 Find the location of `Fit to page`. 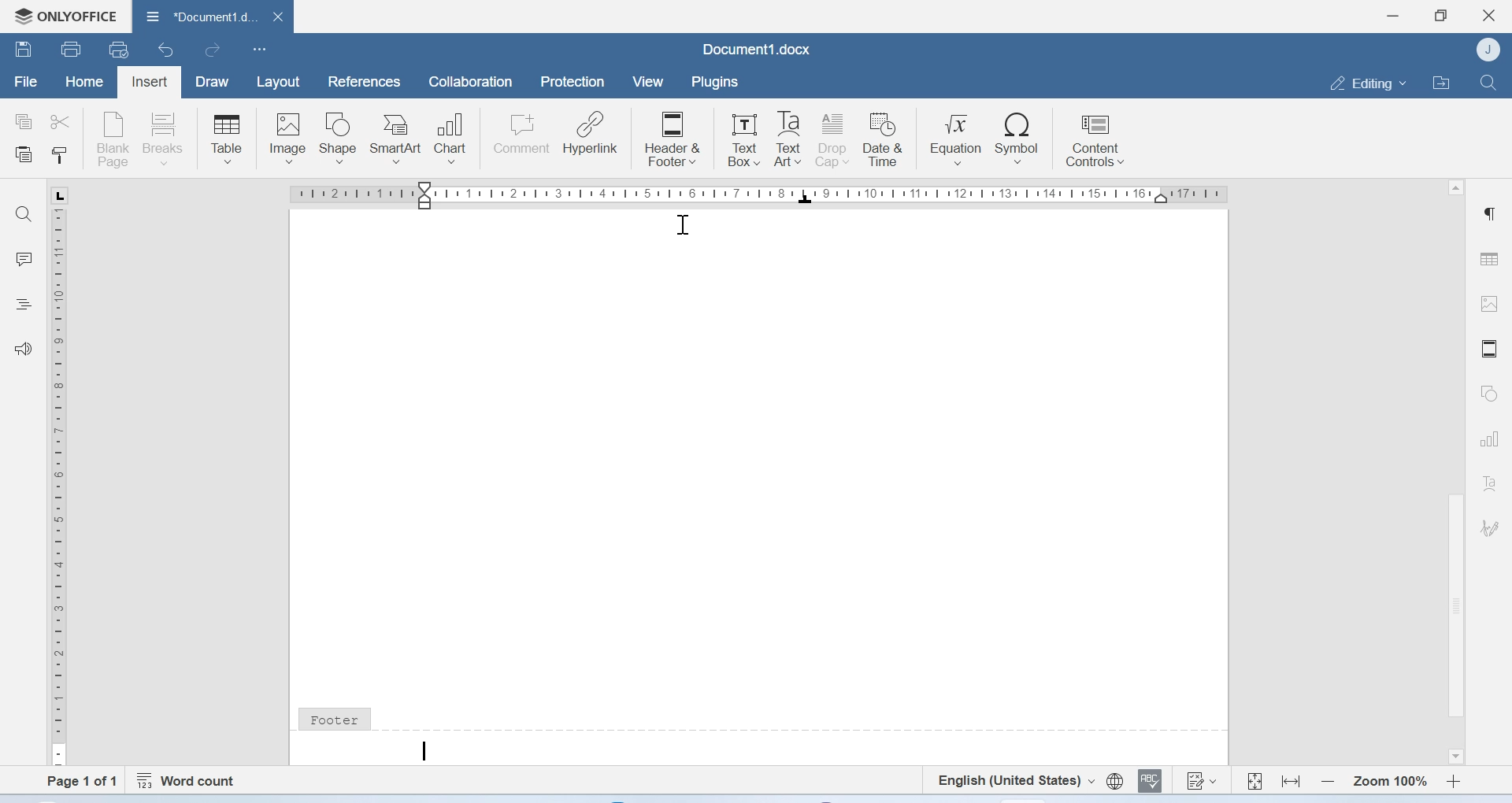

Fit to page is located at coordinates (1254, 779).